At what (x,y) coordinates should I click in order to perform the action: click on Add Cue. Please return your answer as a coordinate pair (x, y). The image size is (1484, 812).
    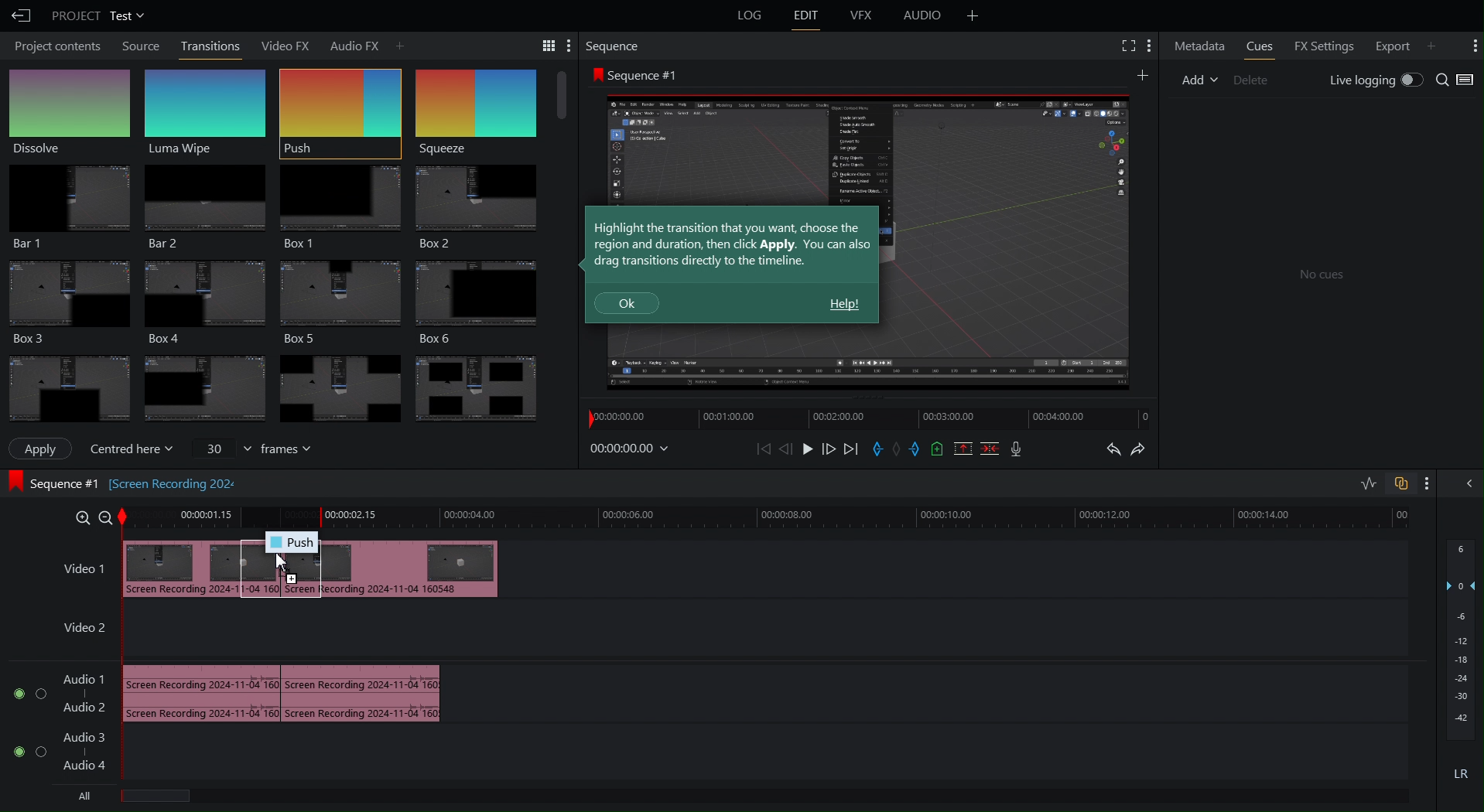
    Looking at the image, I should click on (938, 449).